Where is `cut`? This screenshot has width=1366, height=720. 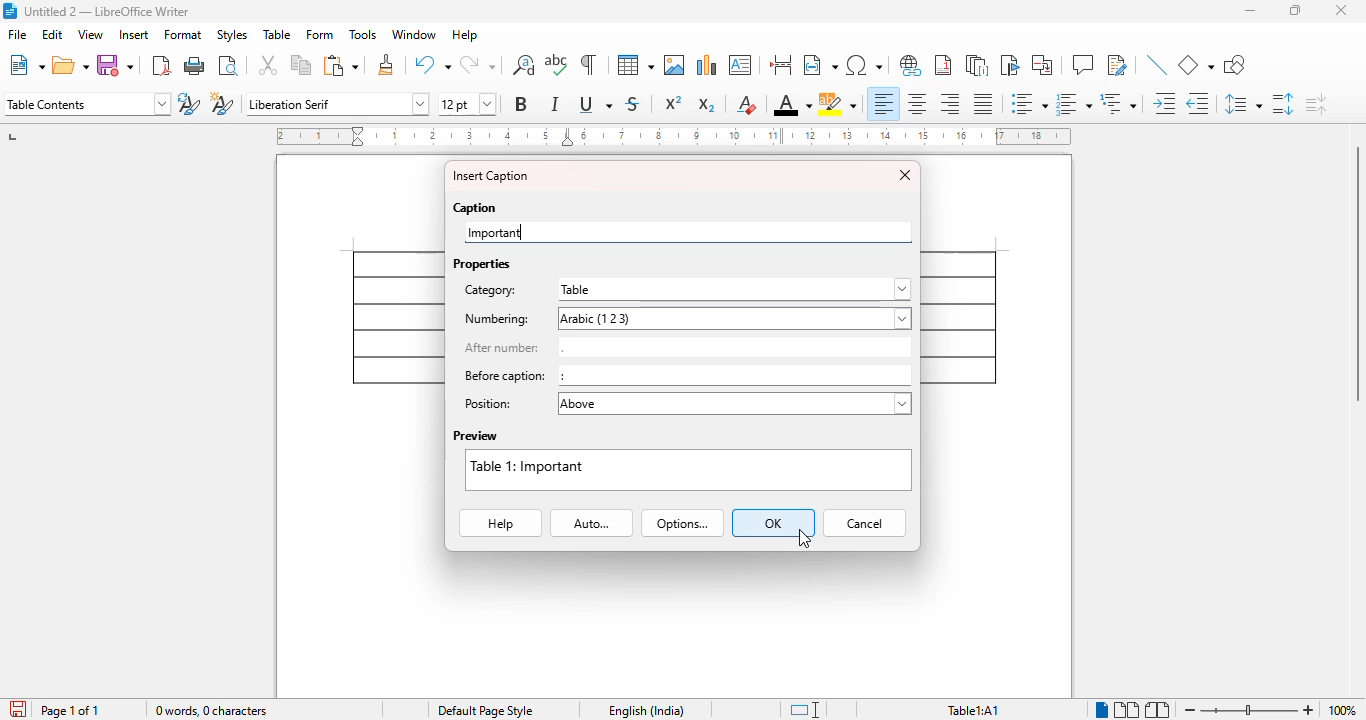
cut is located at coordinates (268, 64).